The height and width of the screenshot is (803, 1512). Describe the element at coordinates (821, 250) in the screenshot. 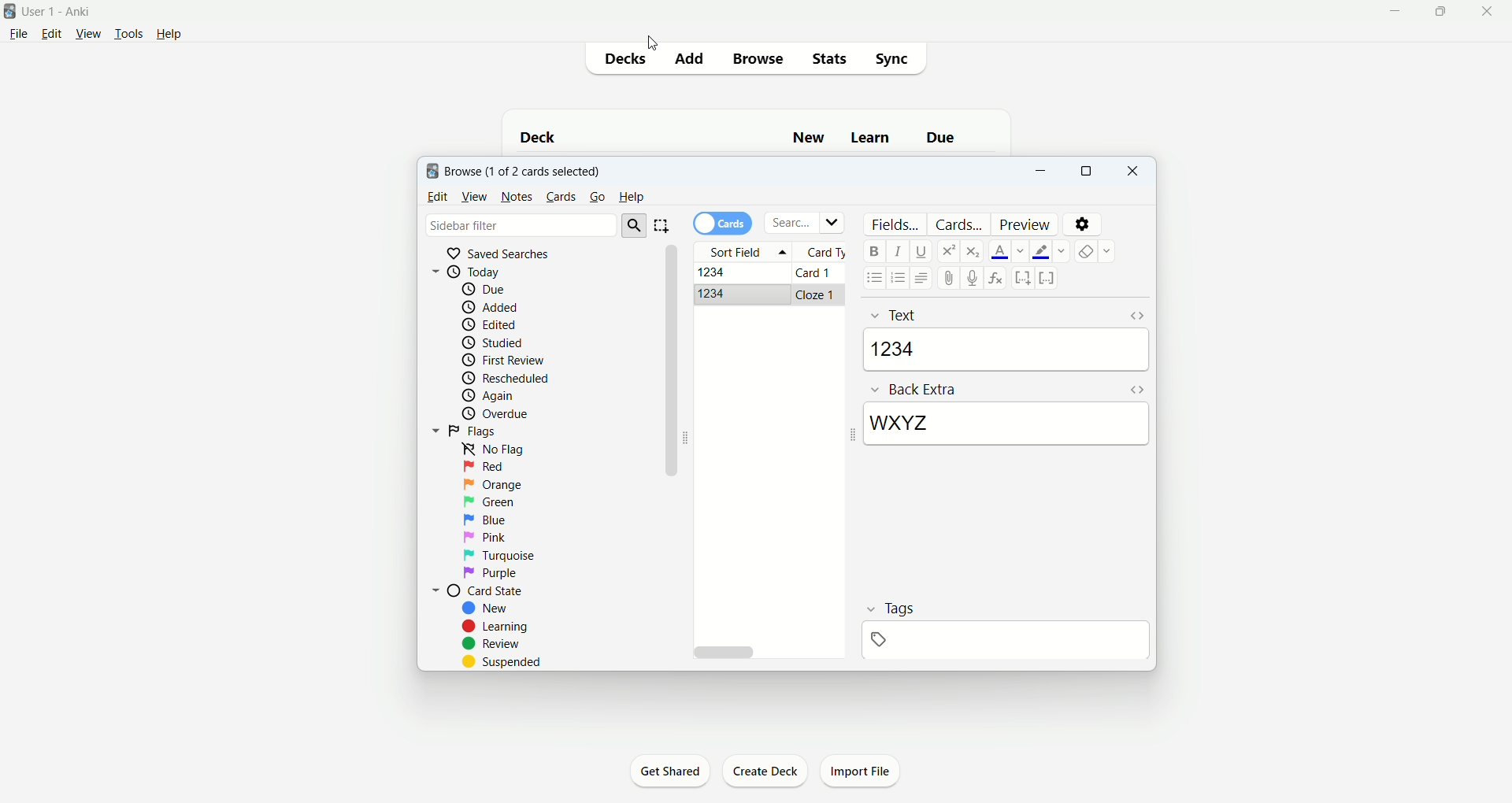

I see `card type` at that location.